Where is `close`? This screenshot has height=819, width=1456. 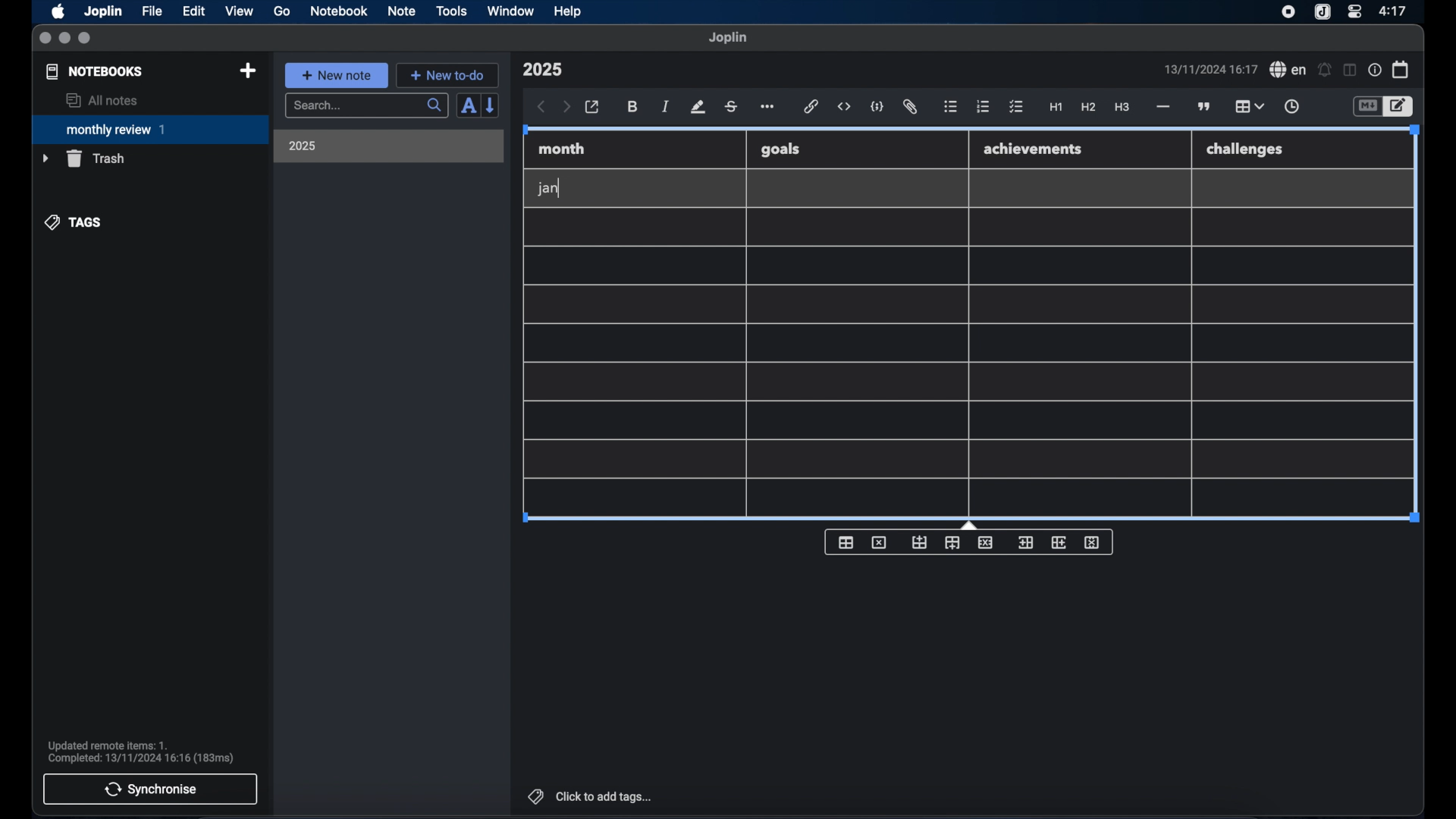
close is located at coordinates (45, 39).